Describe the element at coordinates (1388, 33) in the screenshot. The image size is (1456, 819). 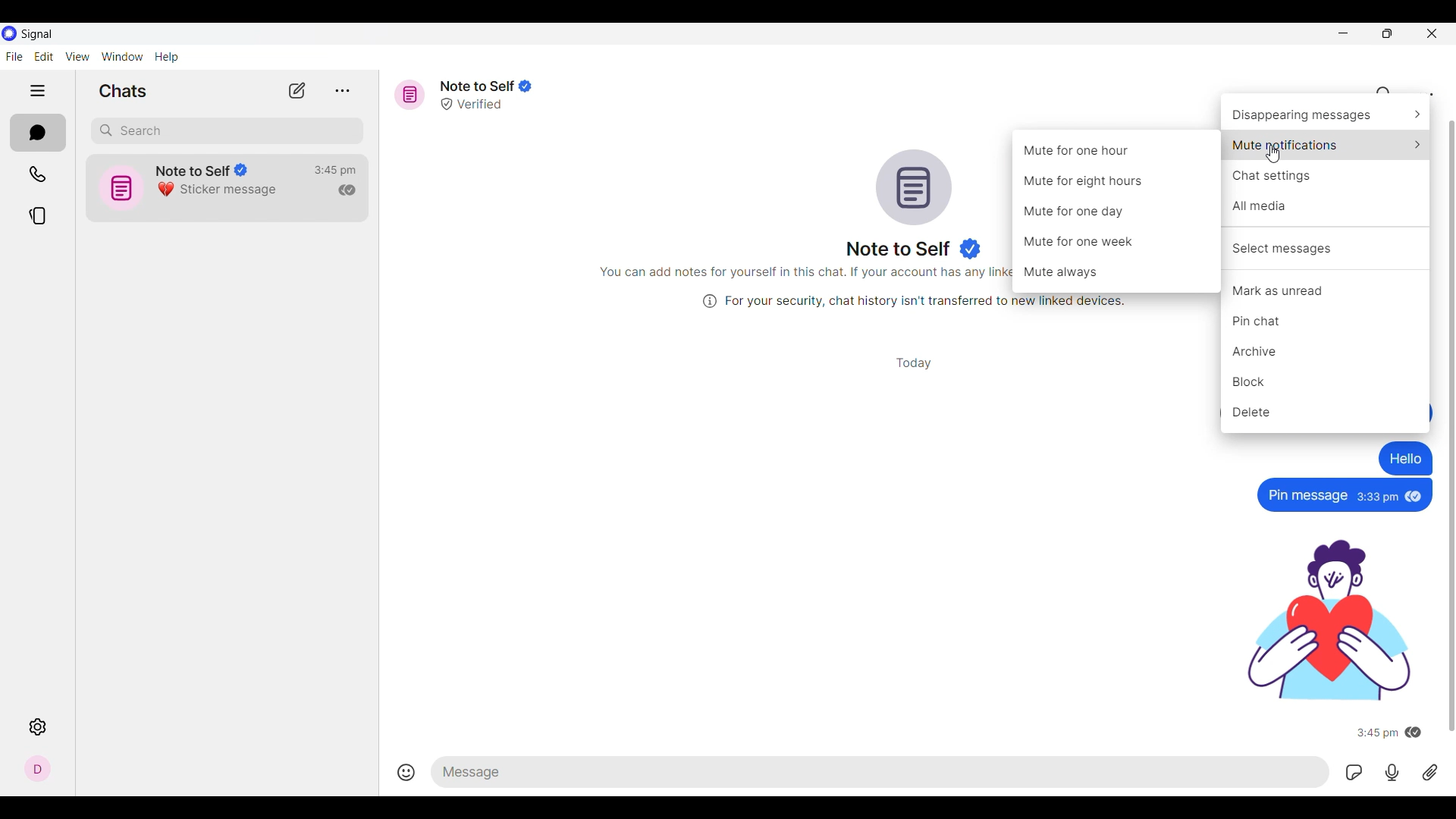
I see `Show interface in smaller tab` at that location.